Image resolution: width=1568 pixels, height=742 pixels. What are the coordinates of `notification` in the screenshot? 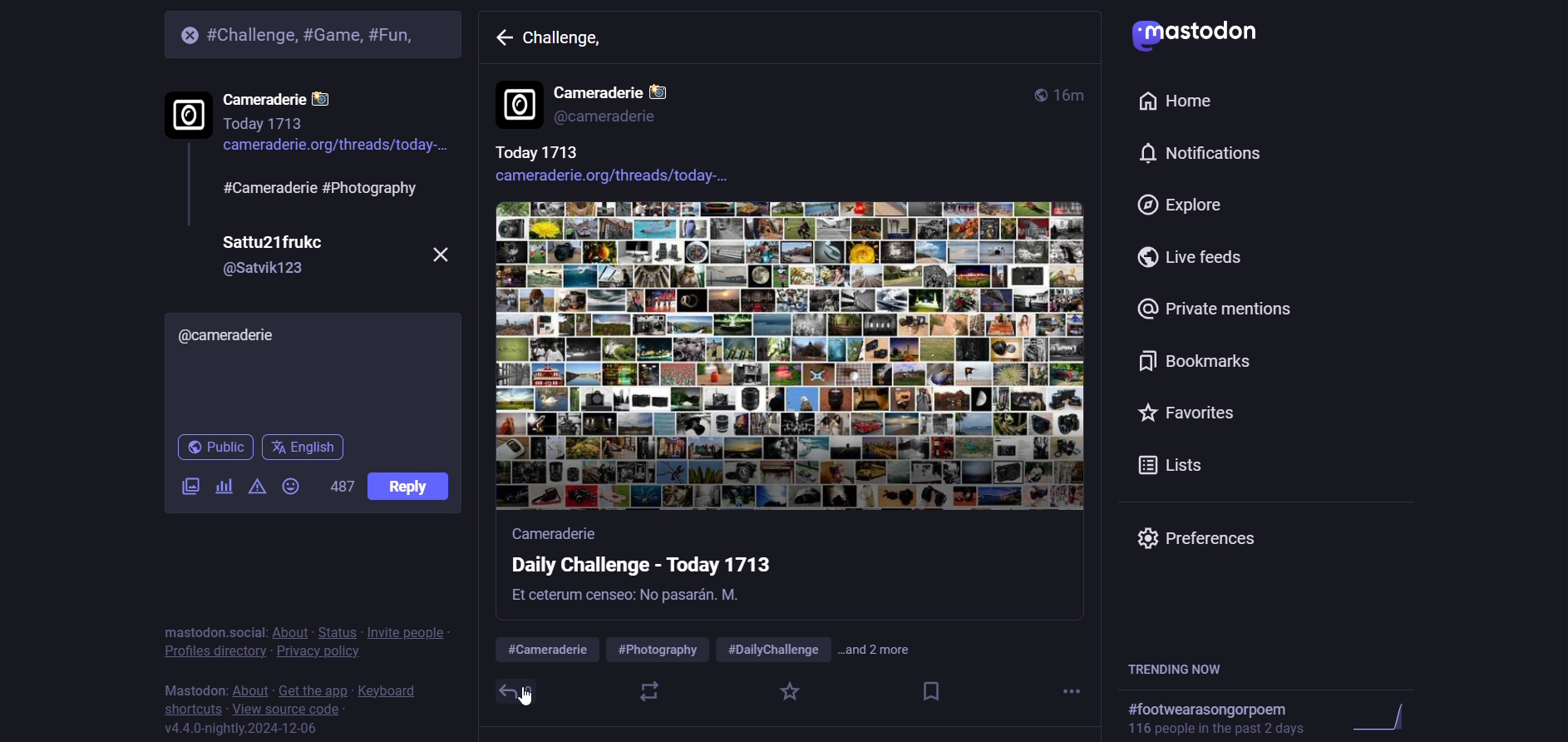 It's located at (1196, 154).